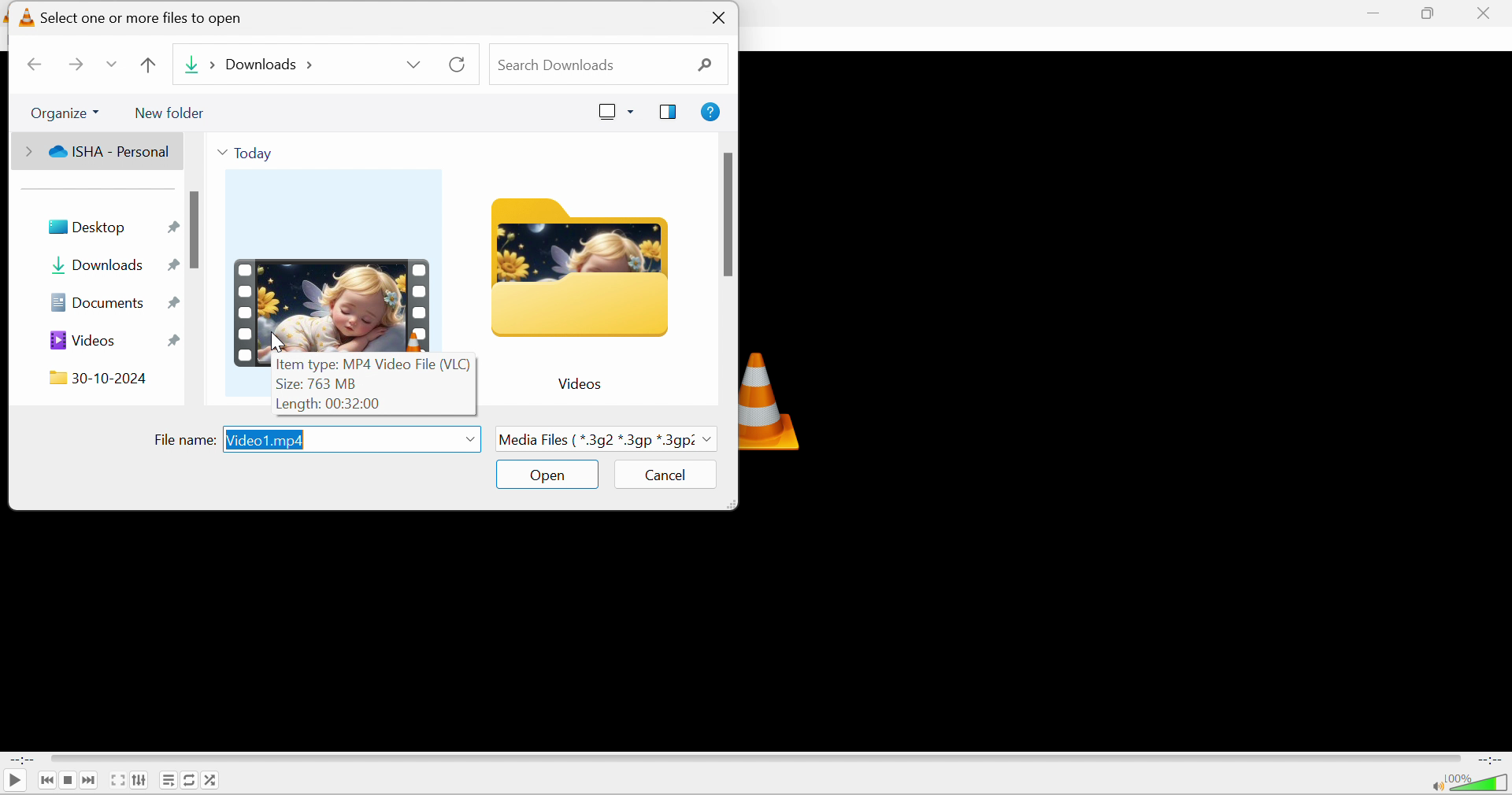 This screenshot has width=1512, height=795. I want to click on 30-10-2024, so click(101, 379).